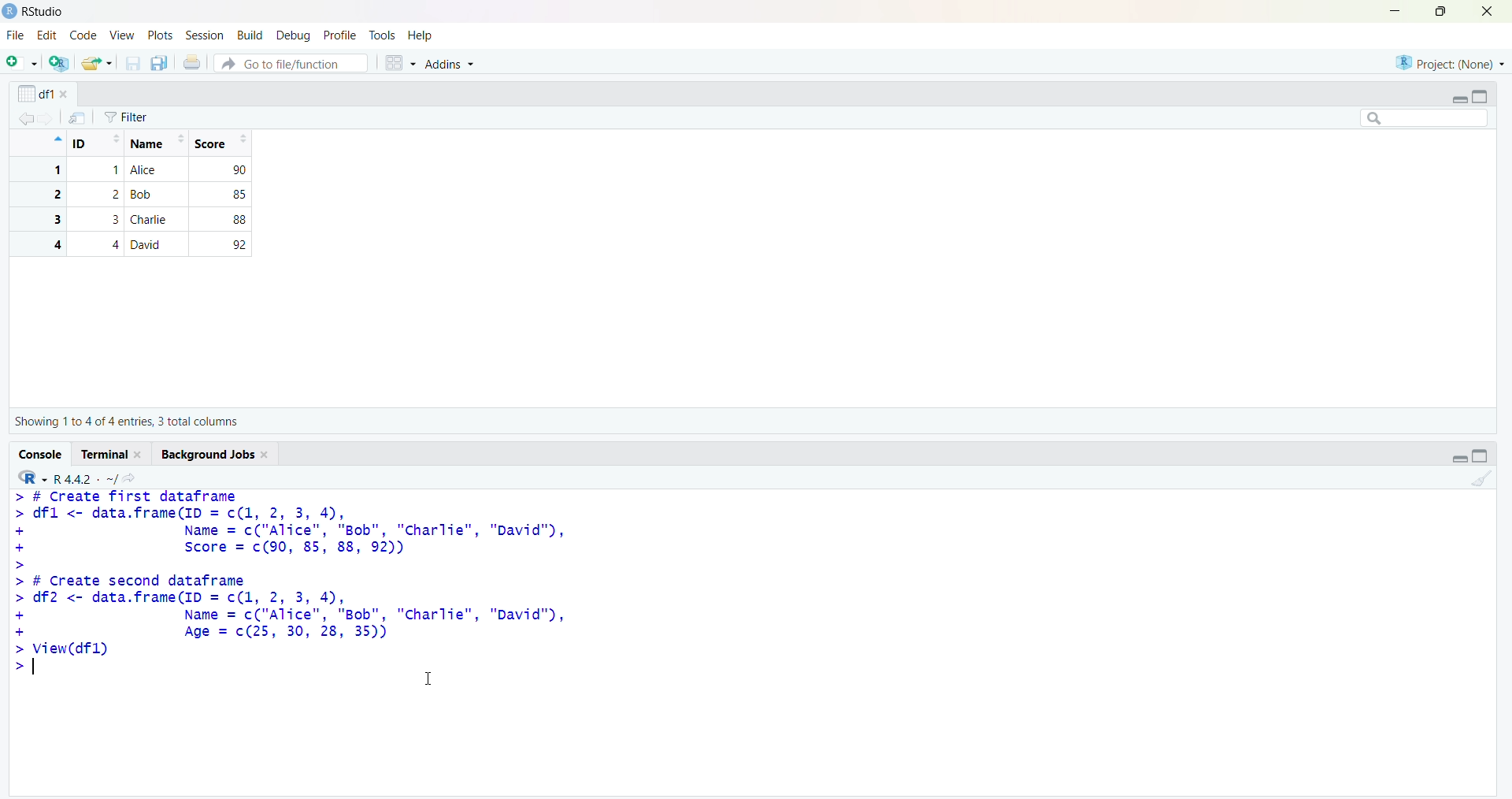  What do you see at coordinates (193, 61) in the screenshot?
I see `print` at bounding box center [193, 61].